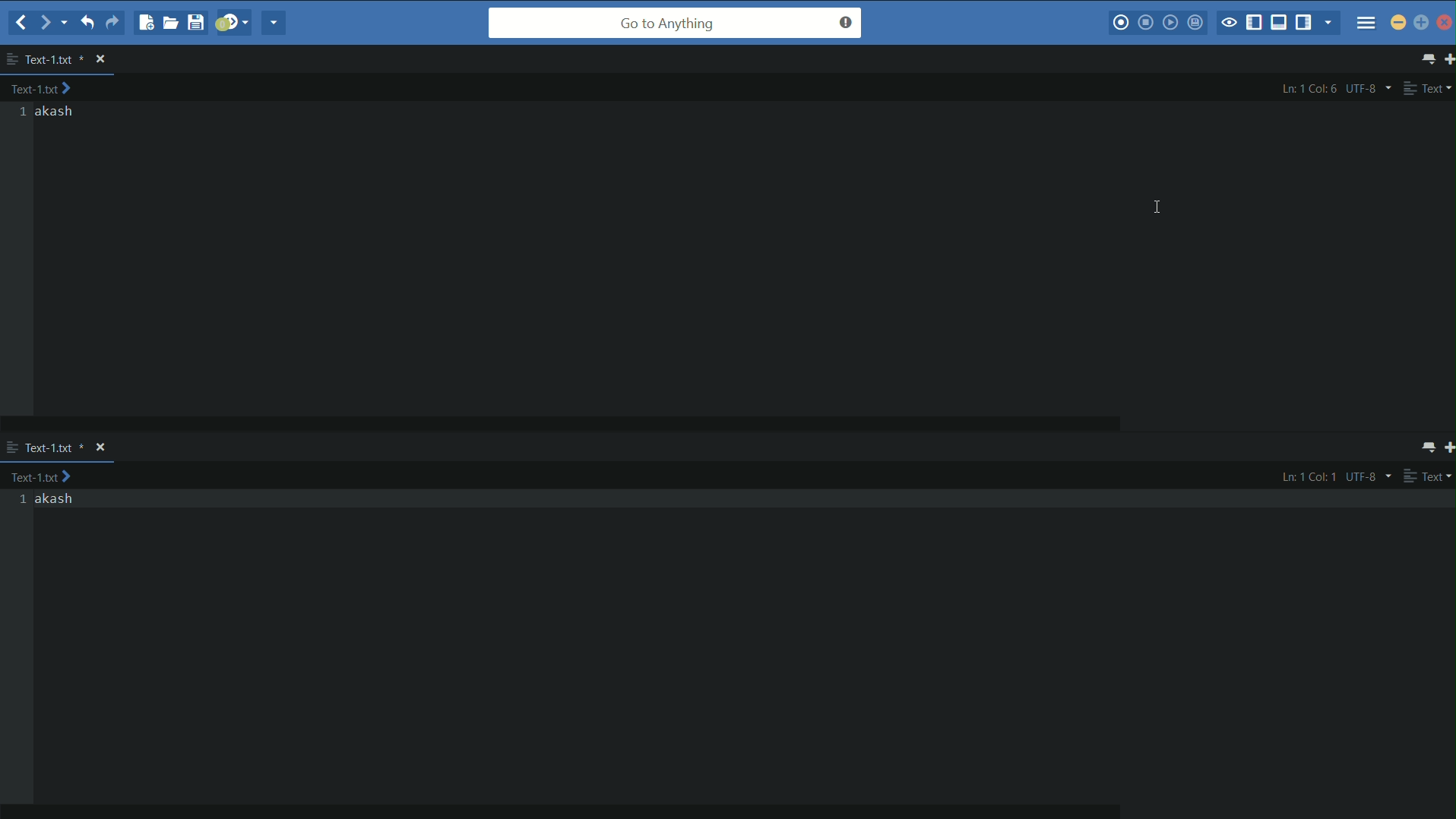 This screenshot has height=819, width=1456. I want to click on show/hide right panel, so click(1306, 21).